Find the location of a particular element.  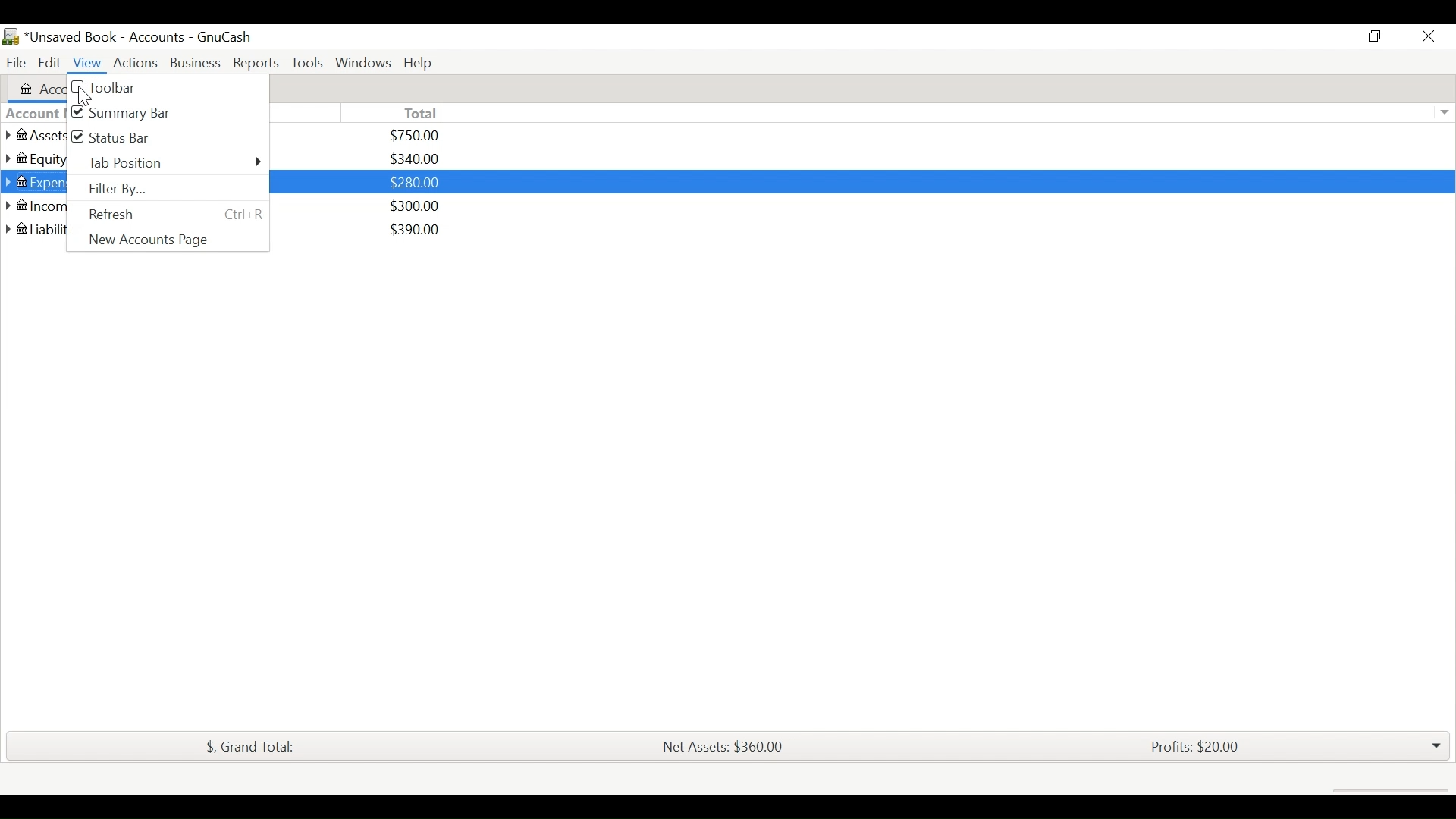

(un)select Summary is located at coordinates (167, 110).